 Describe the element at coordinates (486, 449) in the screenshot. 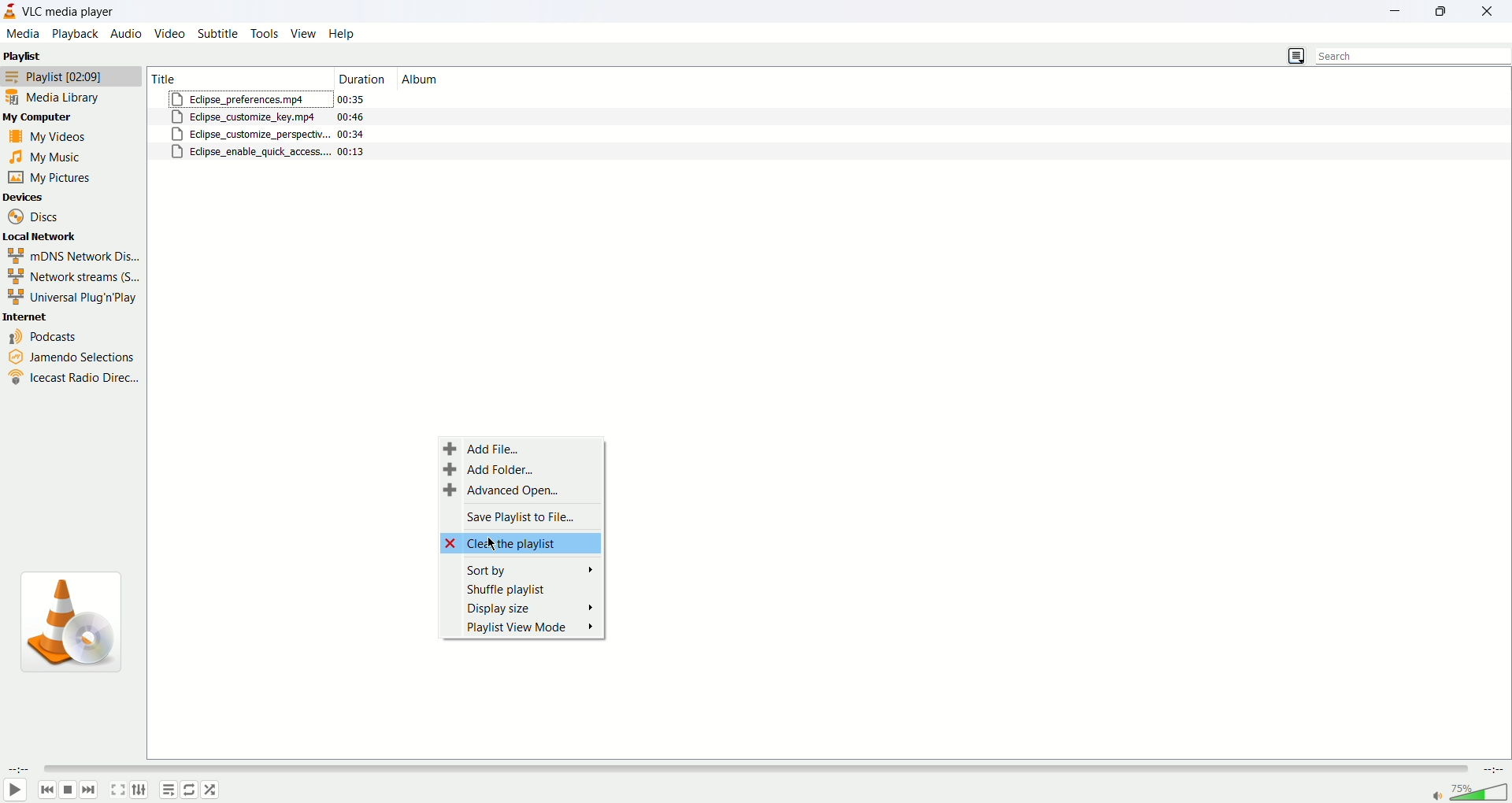

I see `add file` at that location.